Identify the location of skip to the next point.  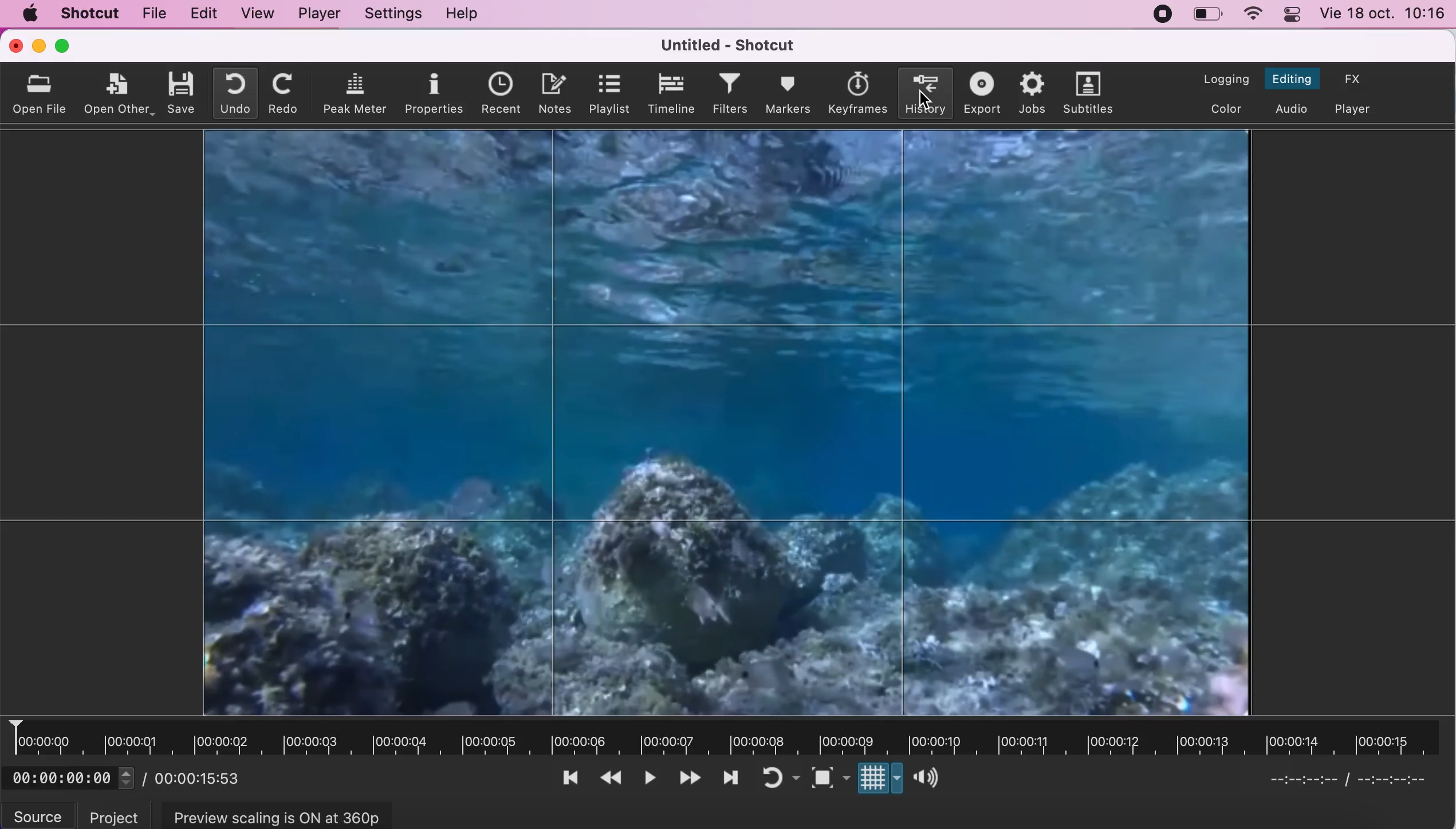
(730, 781).